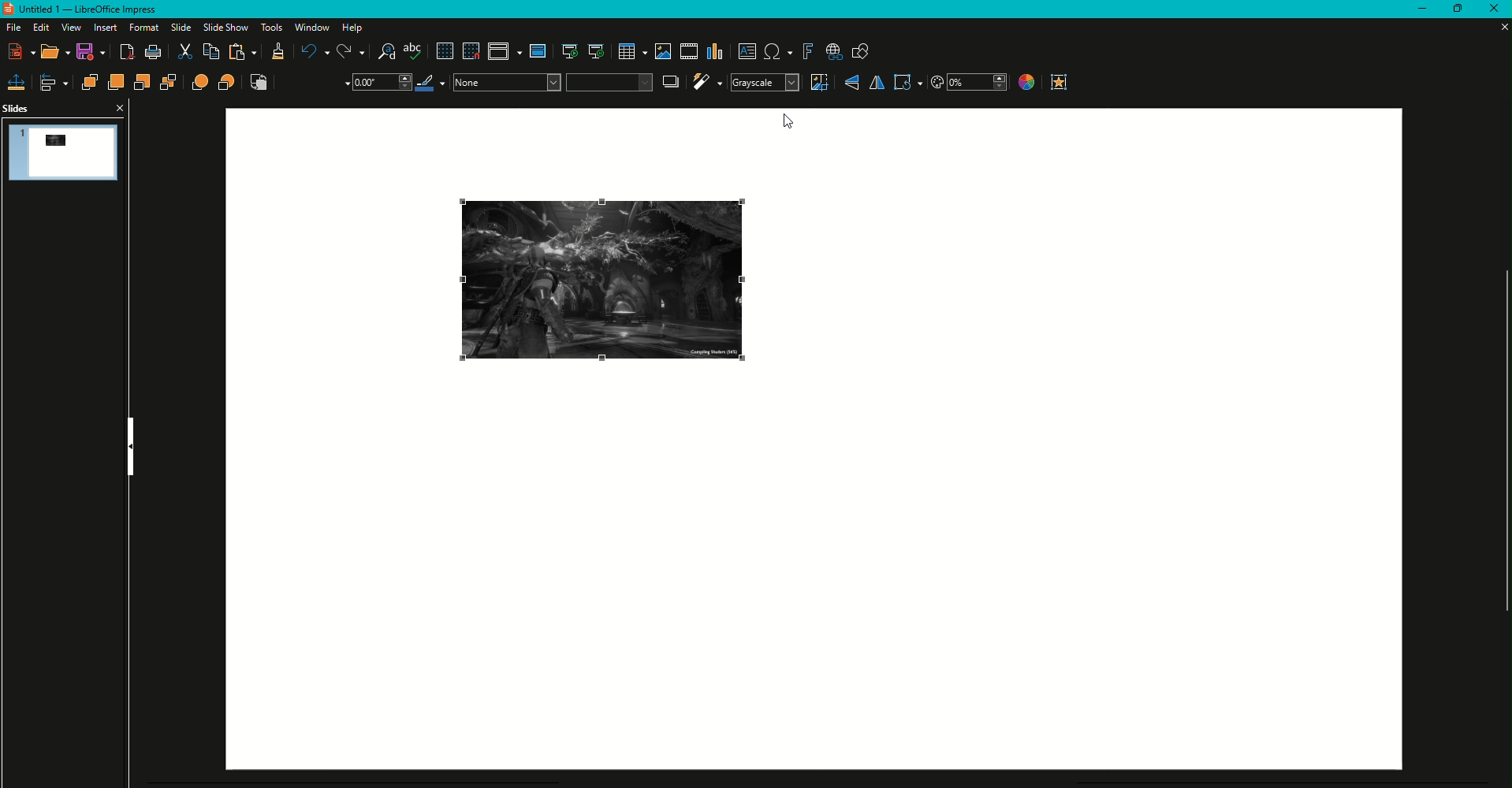 The image size is (1512, 788). I want to click on Behind Object, so click(228, 82).